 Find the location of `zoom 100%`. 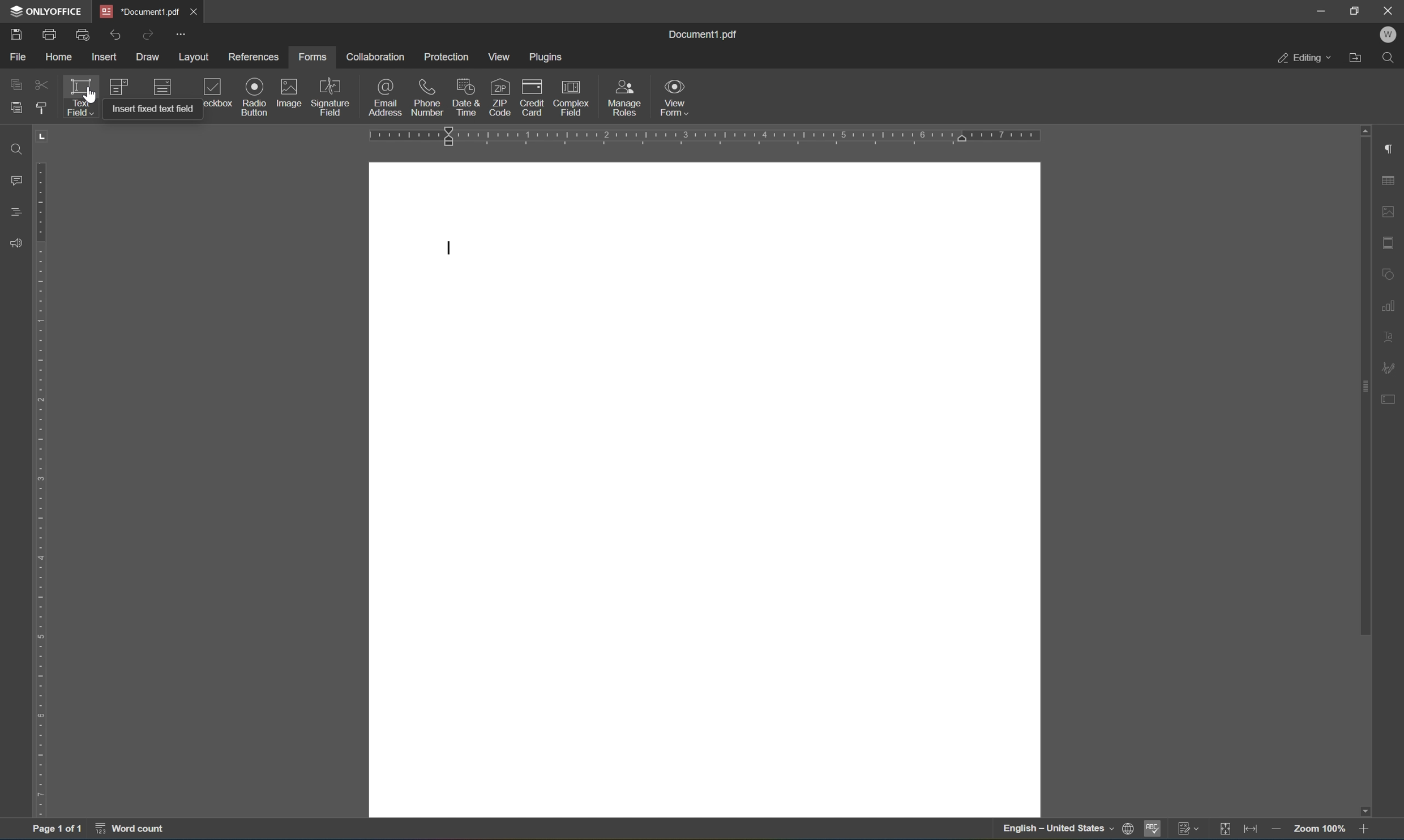

zoom 100% is located at coordinates (1318, 828).